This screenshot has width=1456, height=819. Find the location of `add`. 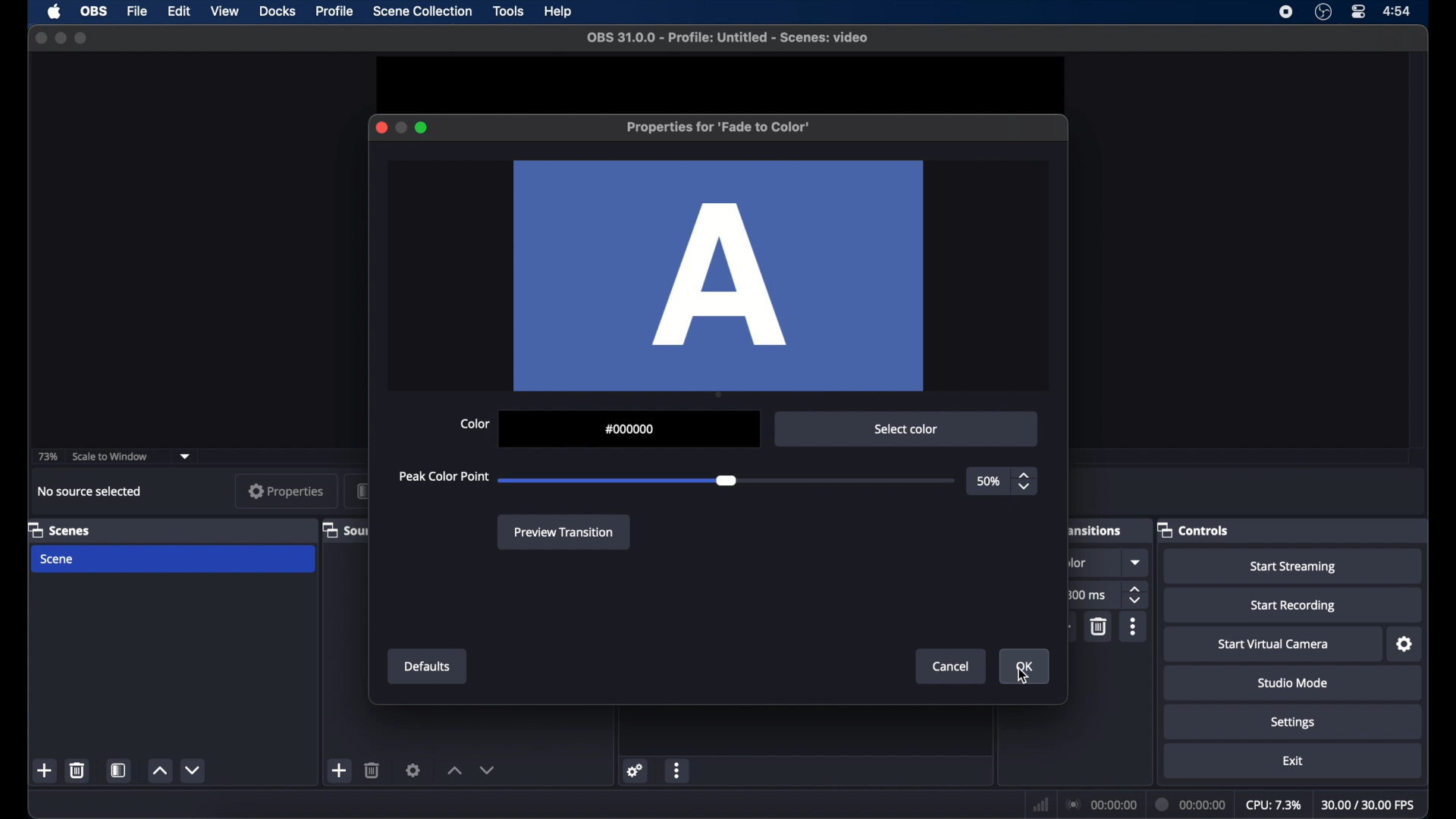

add is located at coordinates (340, 770).